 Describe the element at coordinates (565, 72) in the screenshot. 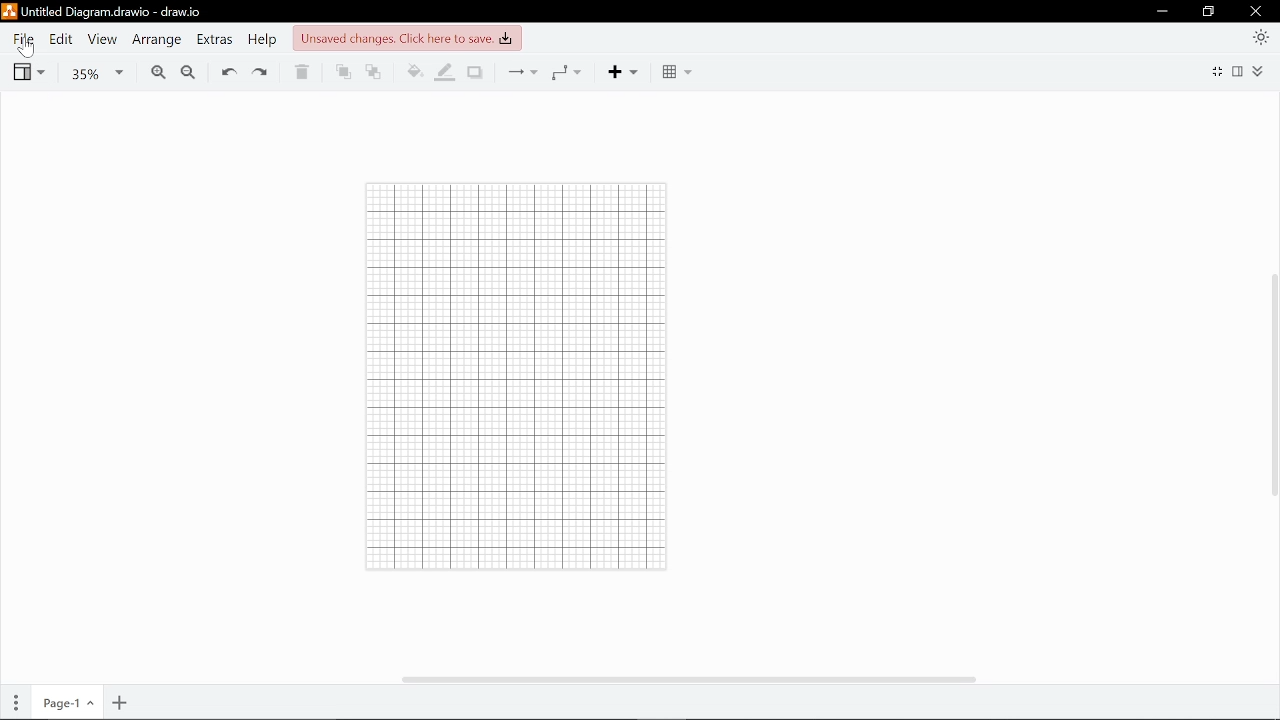

I see `Waypoints` at that location.